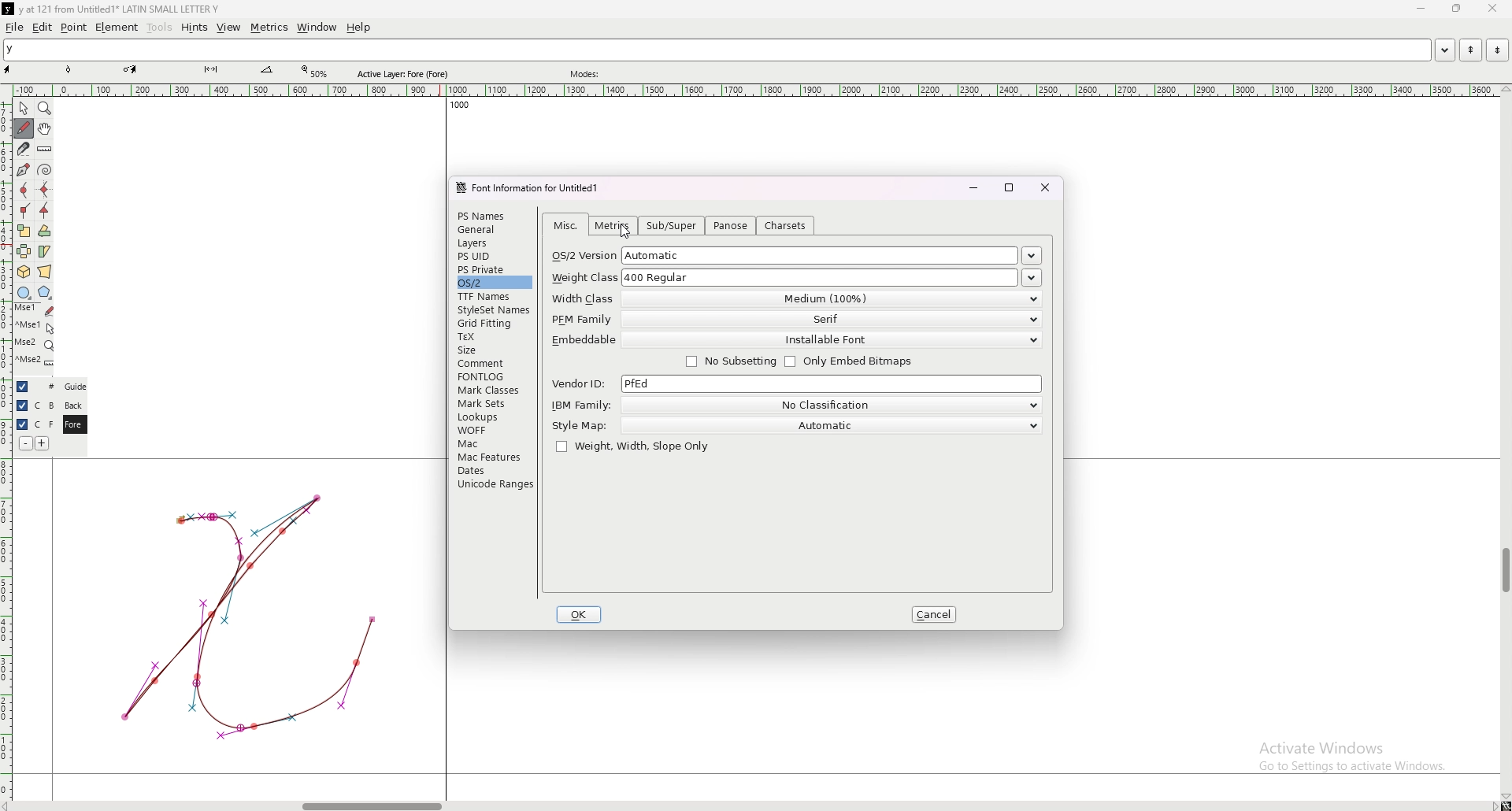 The width and height of the screenshot is (1512, 811). I want to click on scroll right, so click(10, 805).